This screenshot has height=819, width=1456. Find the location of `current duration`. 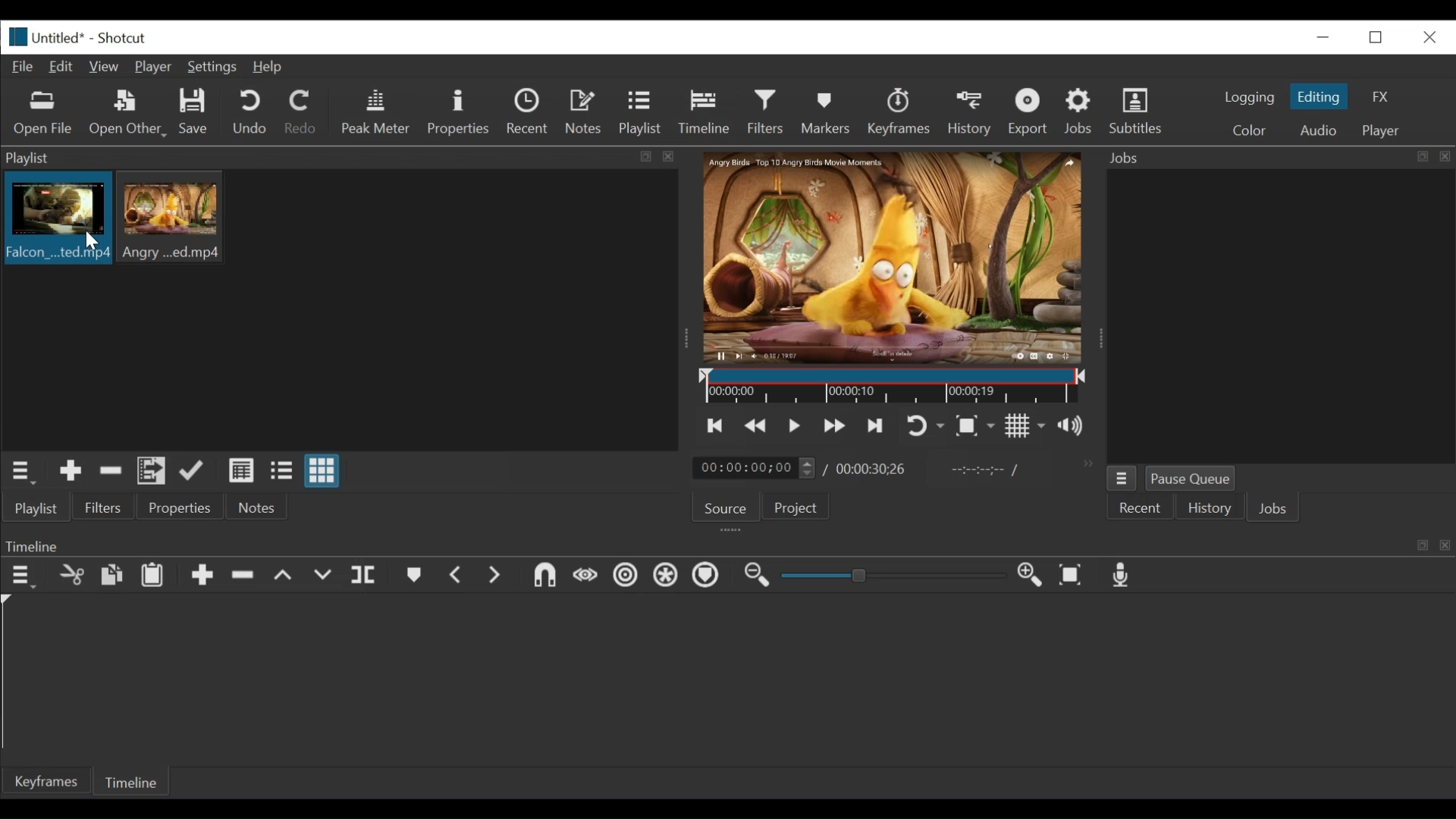

current duration is located at coordinates (756, 469).